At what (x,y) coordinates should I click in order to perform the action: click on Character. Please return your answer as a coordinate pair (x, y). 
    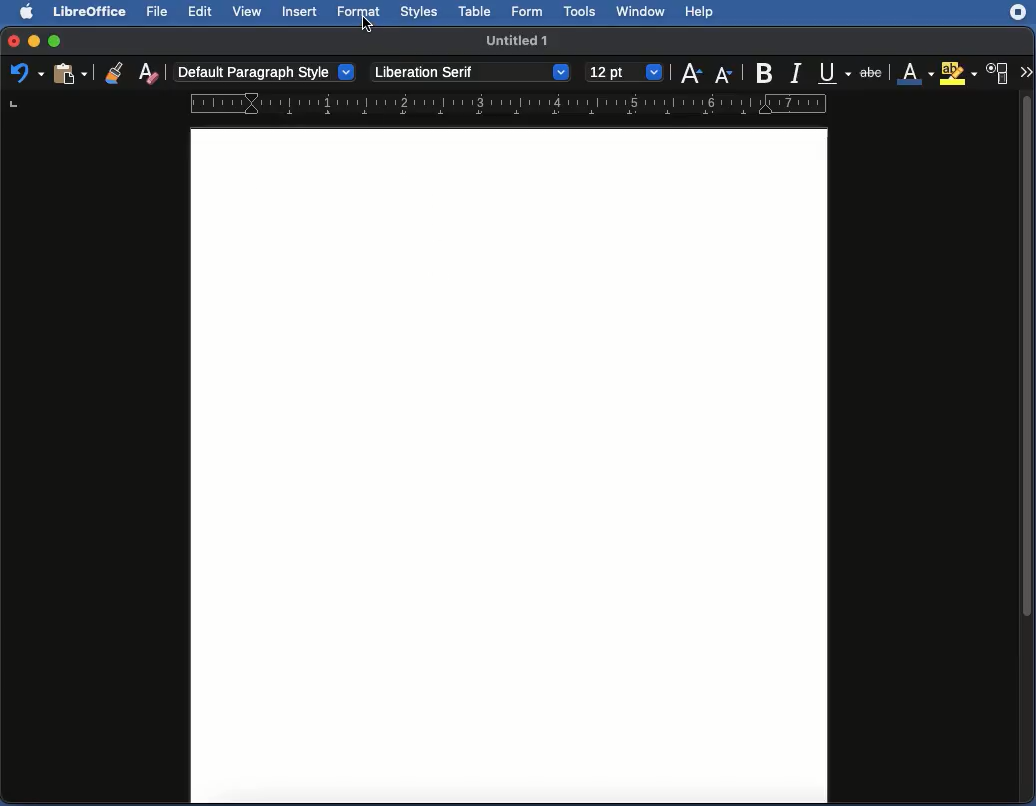
    Looking at the image, I should click on (1000, 73).